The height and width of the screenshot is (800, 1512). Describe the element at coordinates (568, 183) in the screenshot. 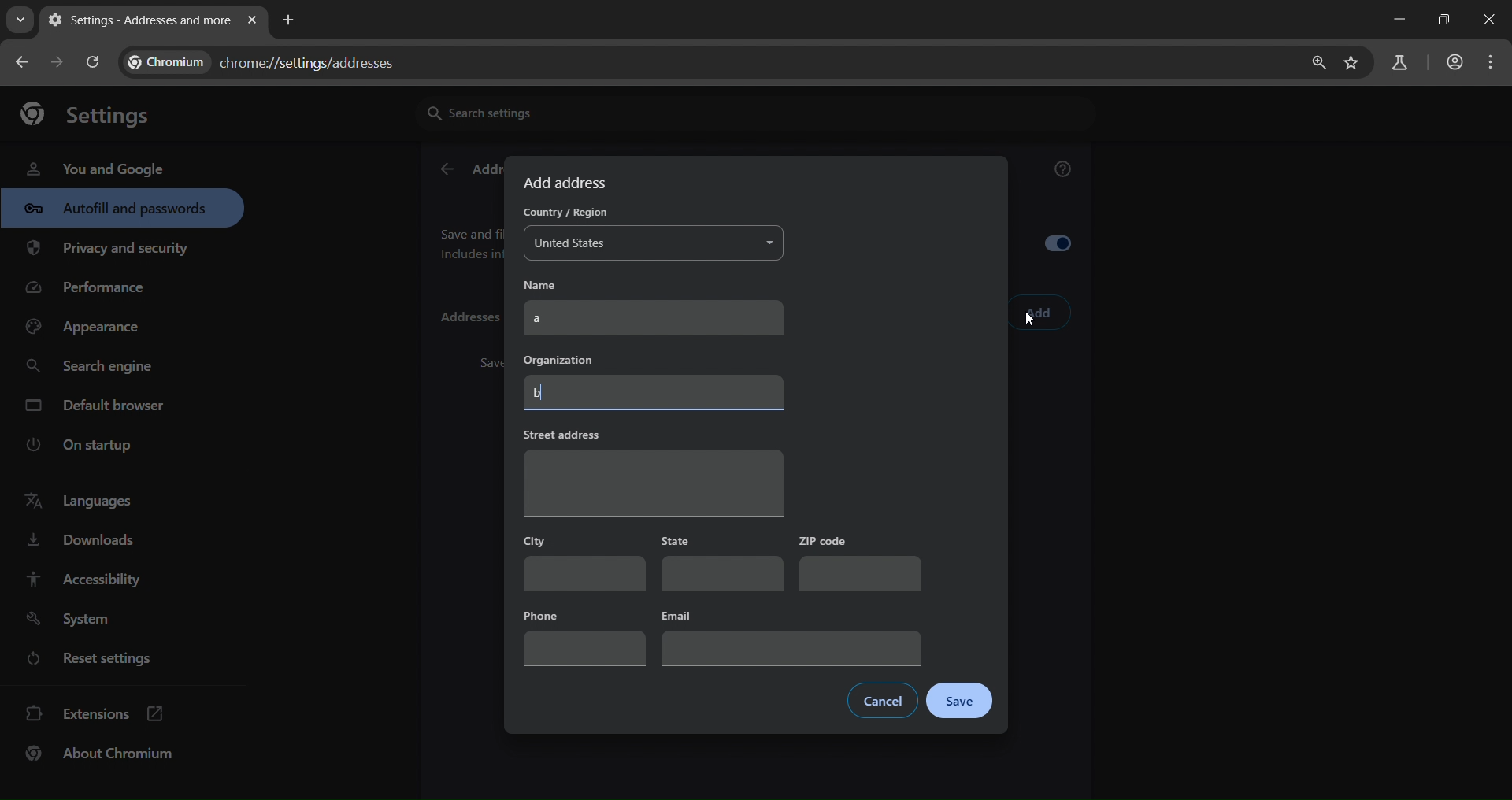

I see `add address` at that location.